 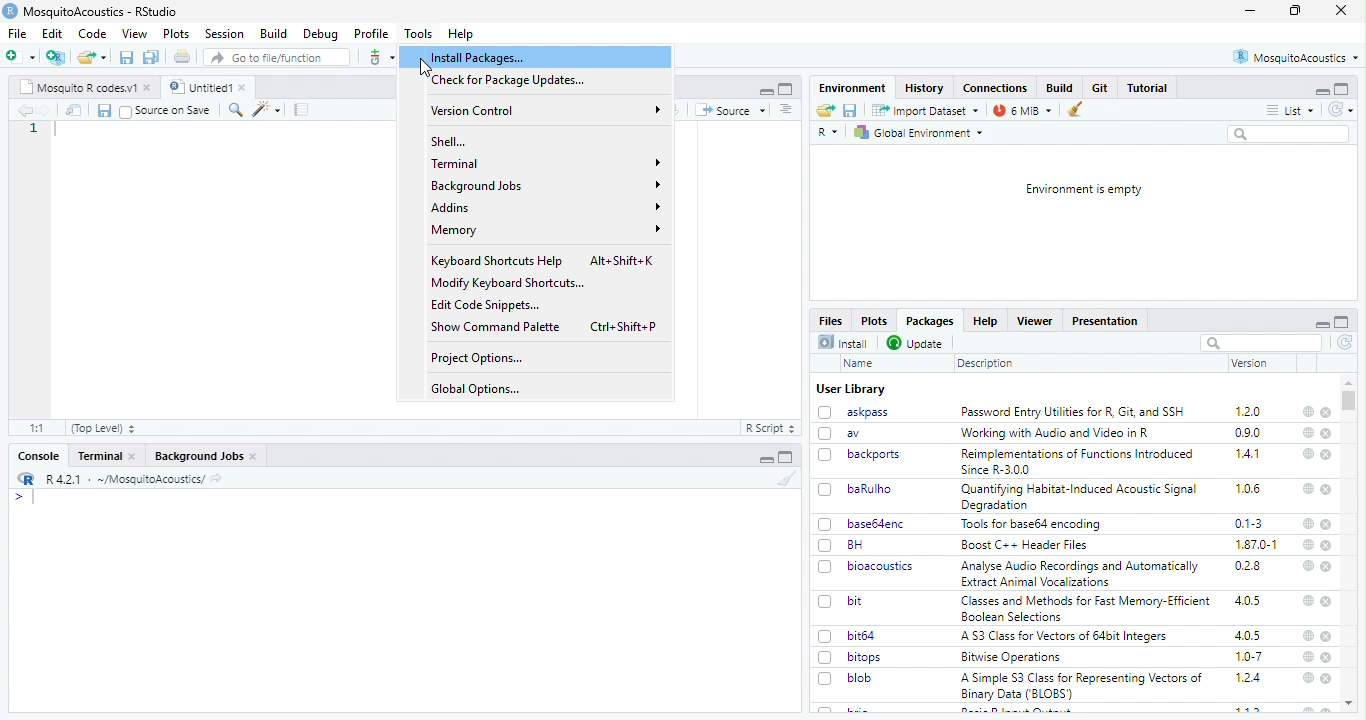 I want to click on backward, so click(x=24, y=110).